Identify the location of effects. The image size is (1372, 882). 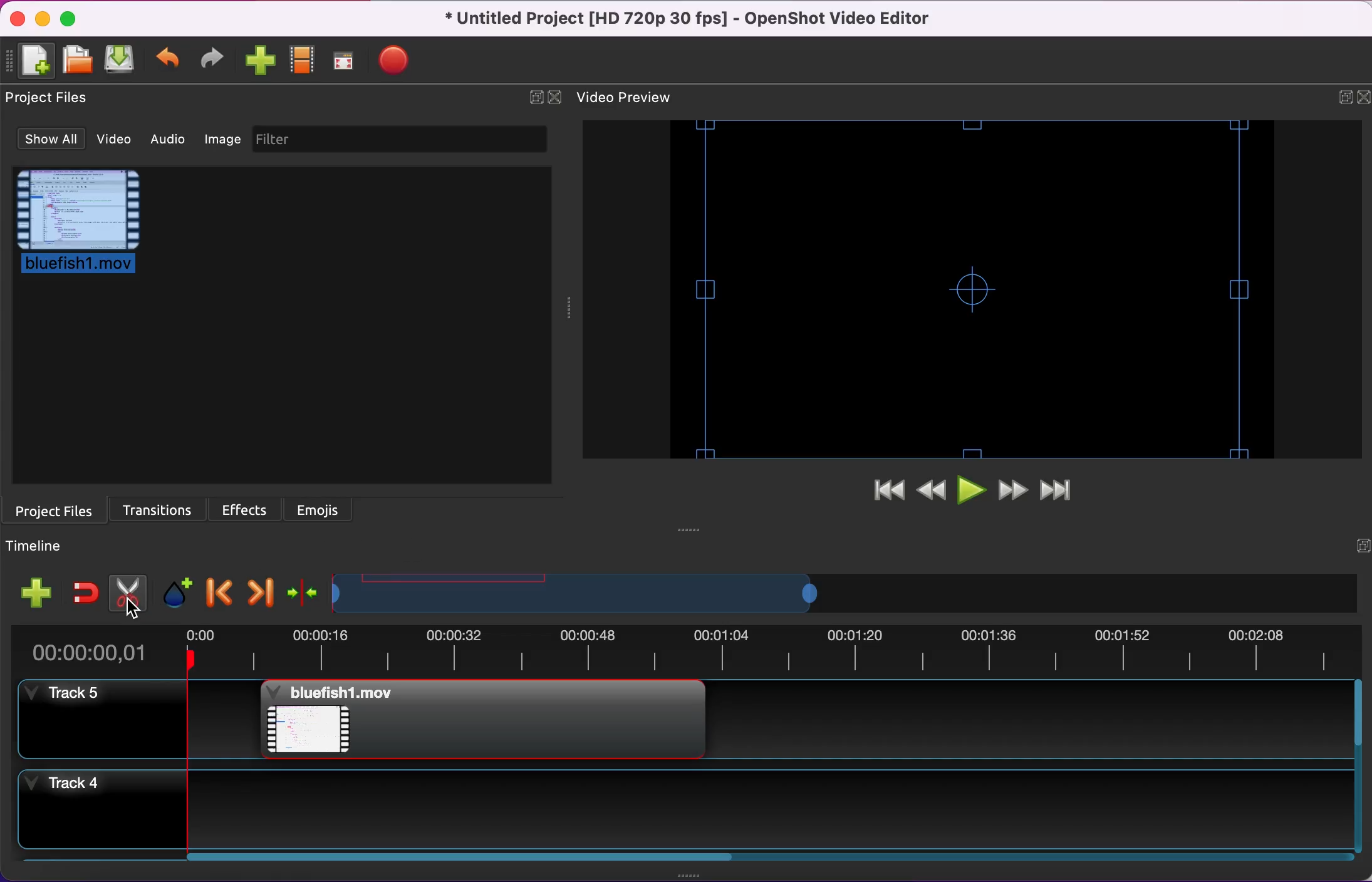
(247, 509).